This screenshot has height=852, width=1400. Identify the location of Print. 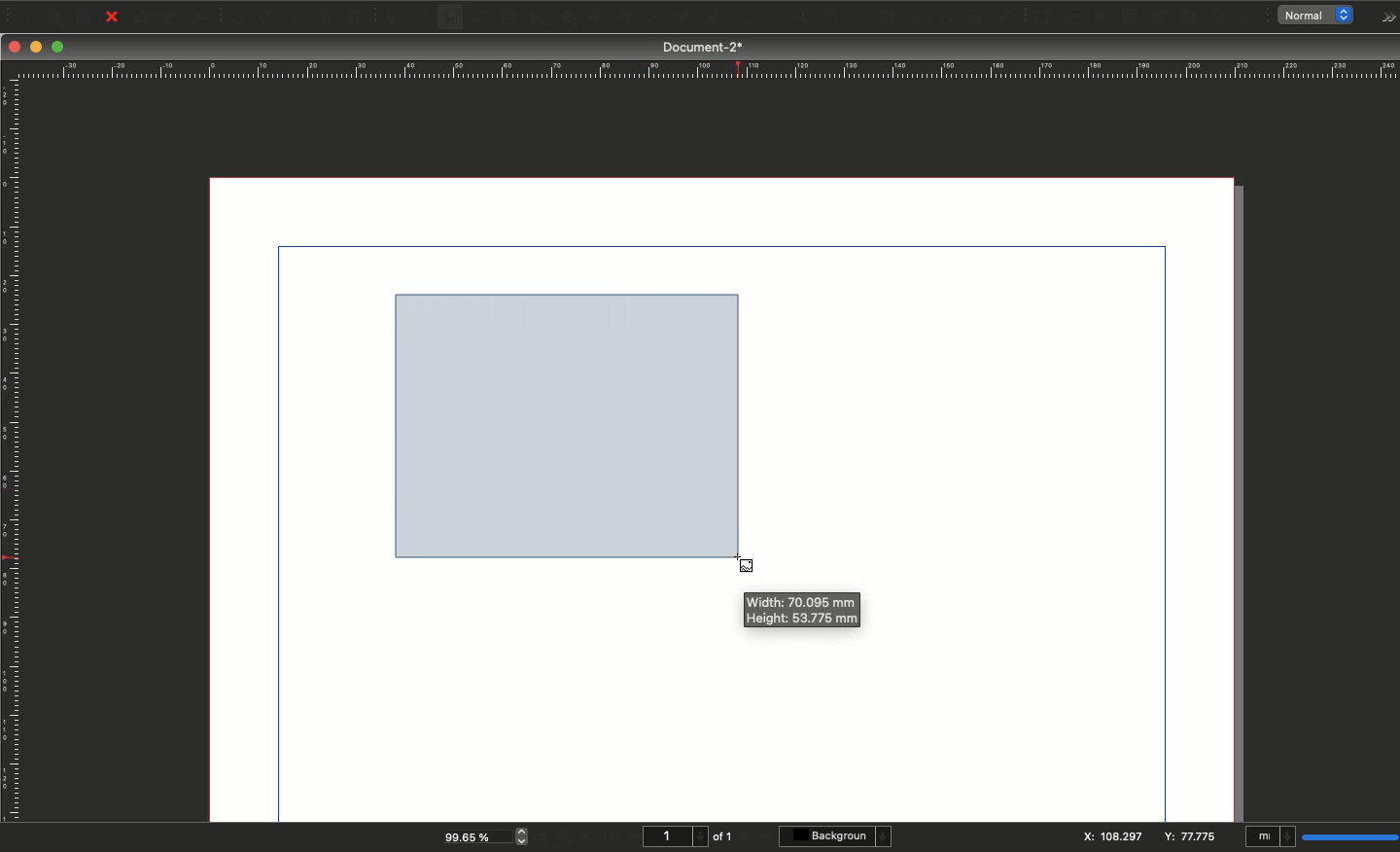
(142, 18).